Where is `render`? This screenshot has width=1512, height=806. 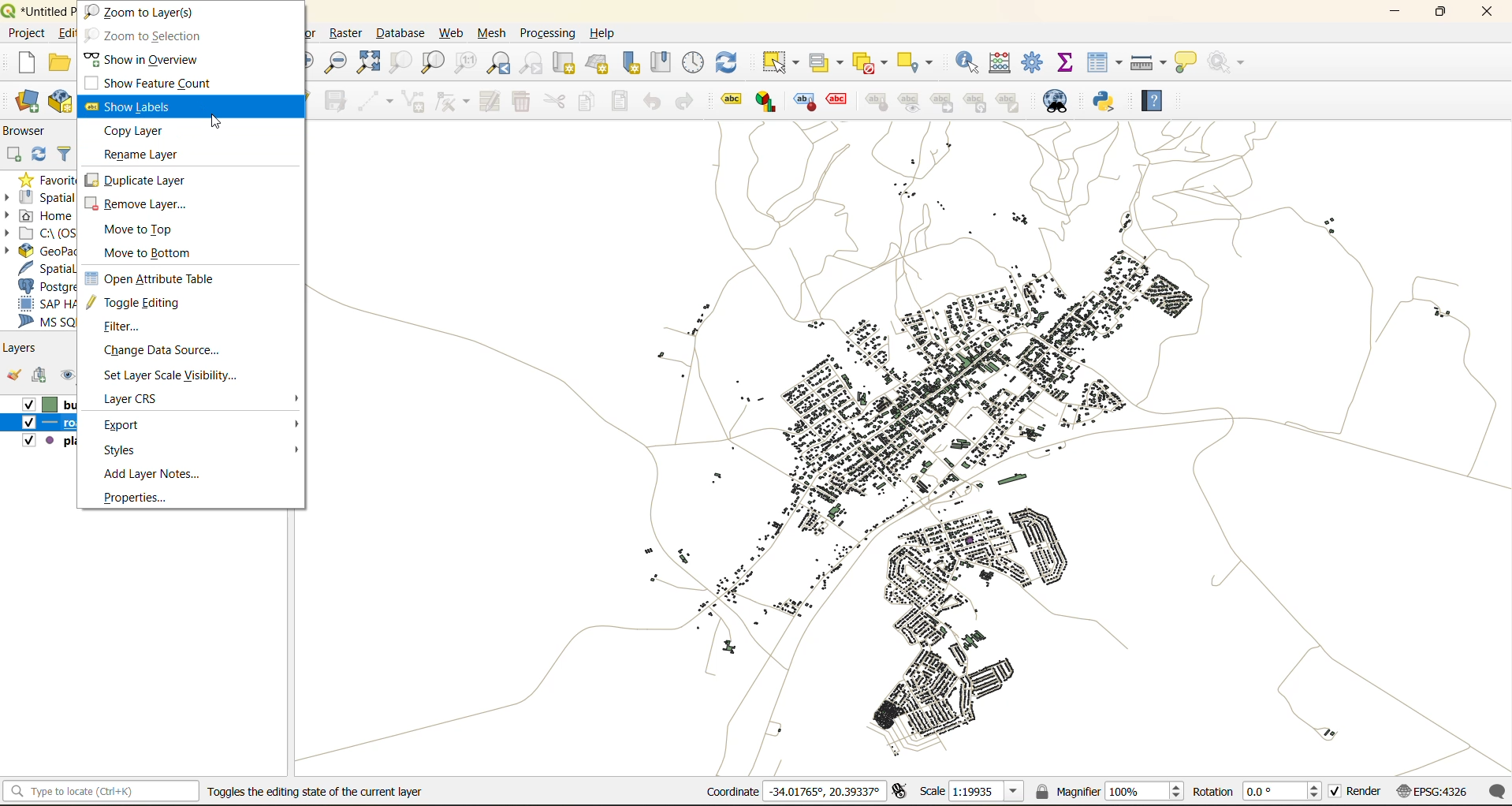
render is located at coordinates (1357, 790).